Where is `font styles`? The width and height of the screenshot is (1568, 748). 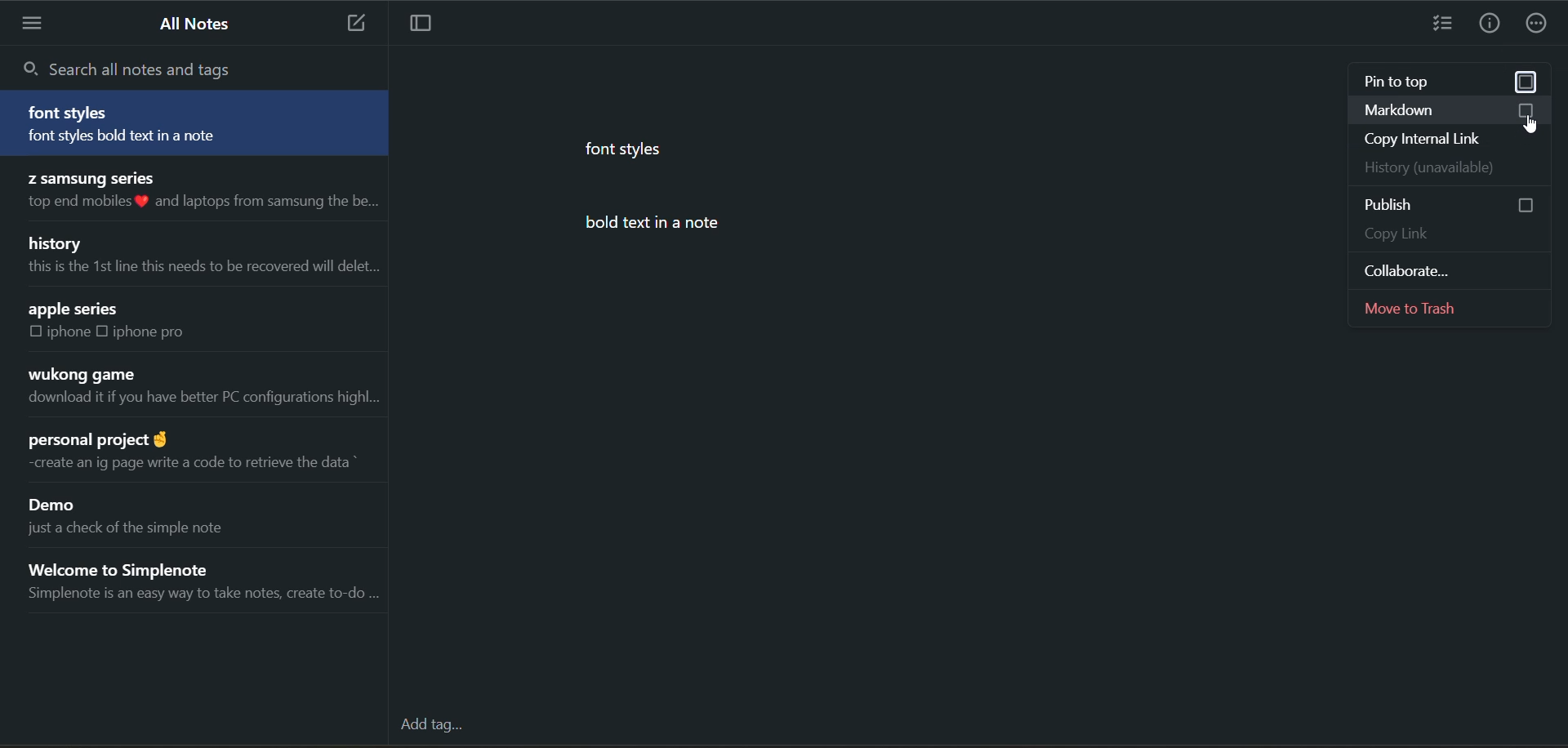
font styles is located at coordinates (72, 113).